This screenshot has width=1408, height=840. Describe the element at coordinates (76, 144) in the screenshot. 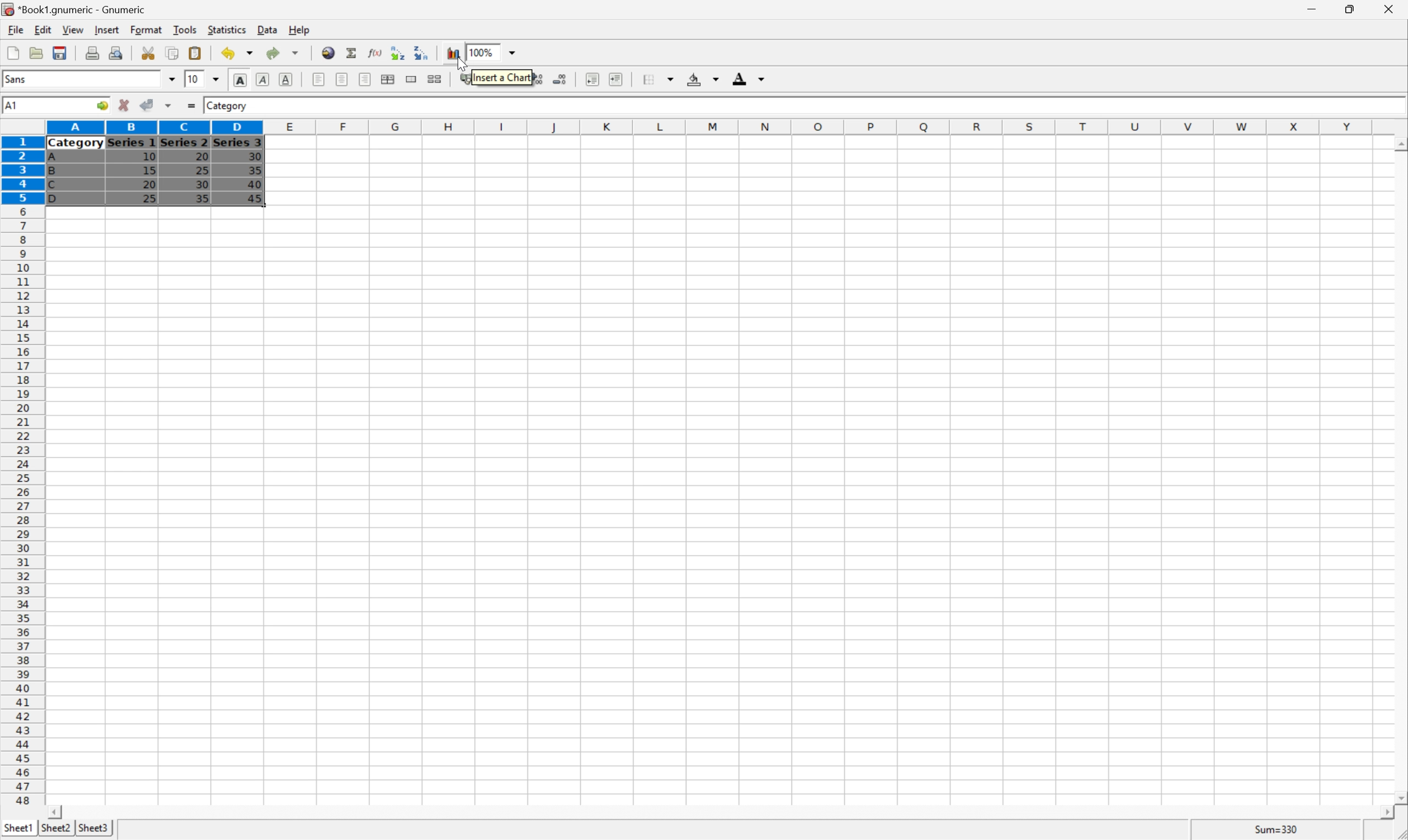

I see `Category` at that location.